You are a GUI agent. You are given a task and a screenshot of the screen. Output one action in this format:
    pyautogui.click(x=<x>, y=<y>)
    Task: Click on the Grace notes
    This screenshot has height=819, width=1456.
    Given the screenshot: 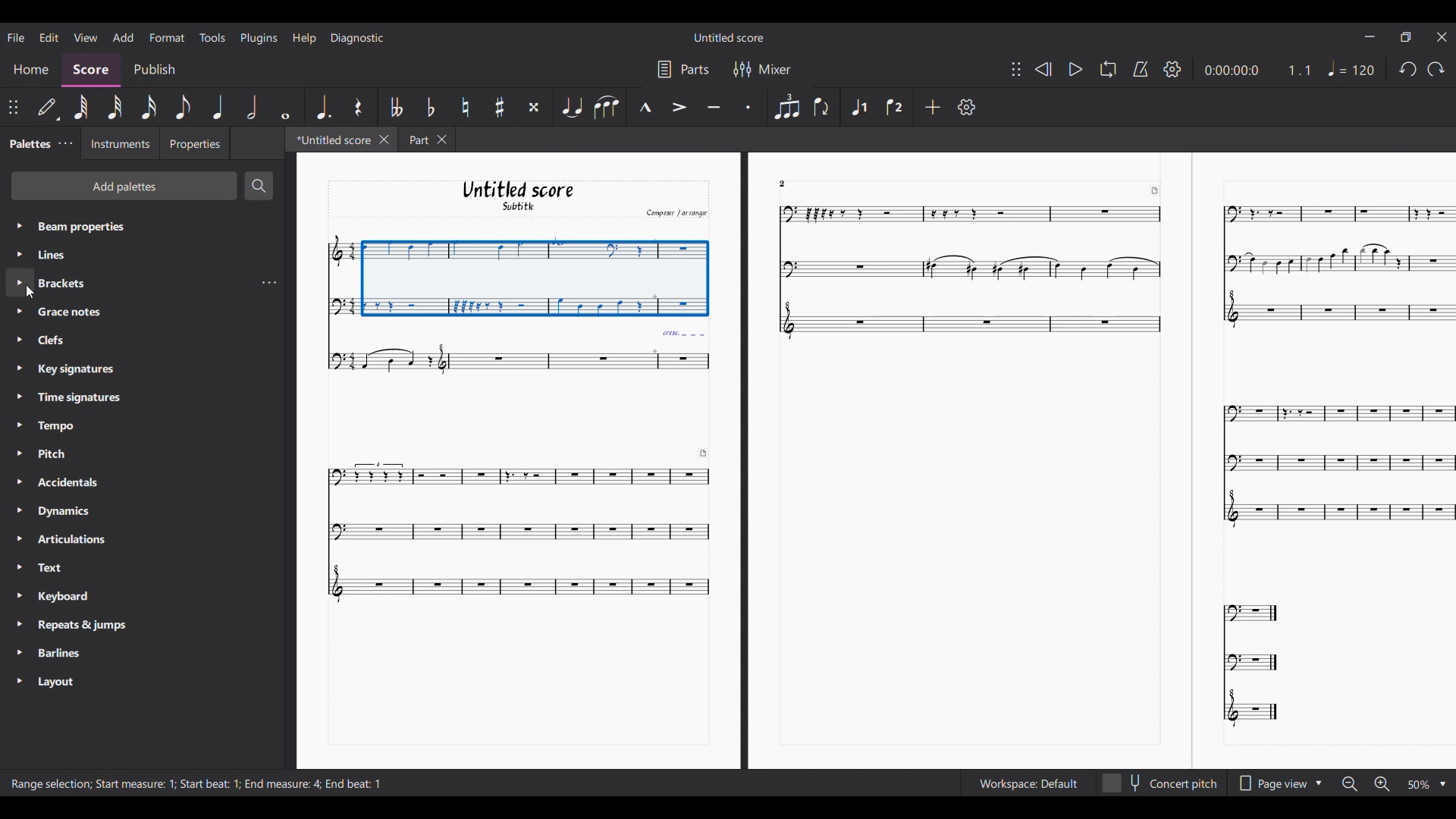 What is the action you would take?
    pyautogui.click(x=71, y=311)
    